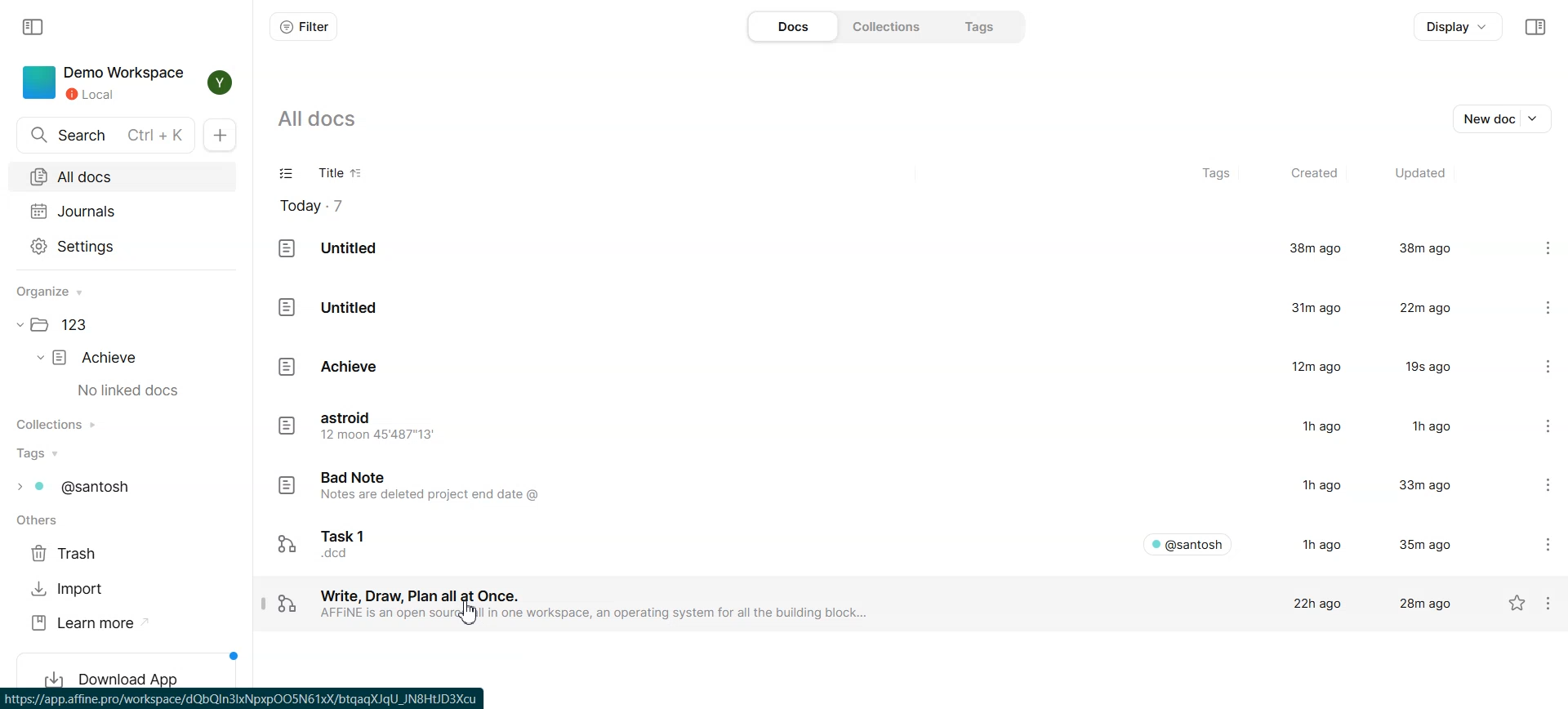 The height and width of the screenshot is (709, 1568). I want to click on Others, so click(42, 522).